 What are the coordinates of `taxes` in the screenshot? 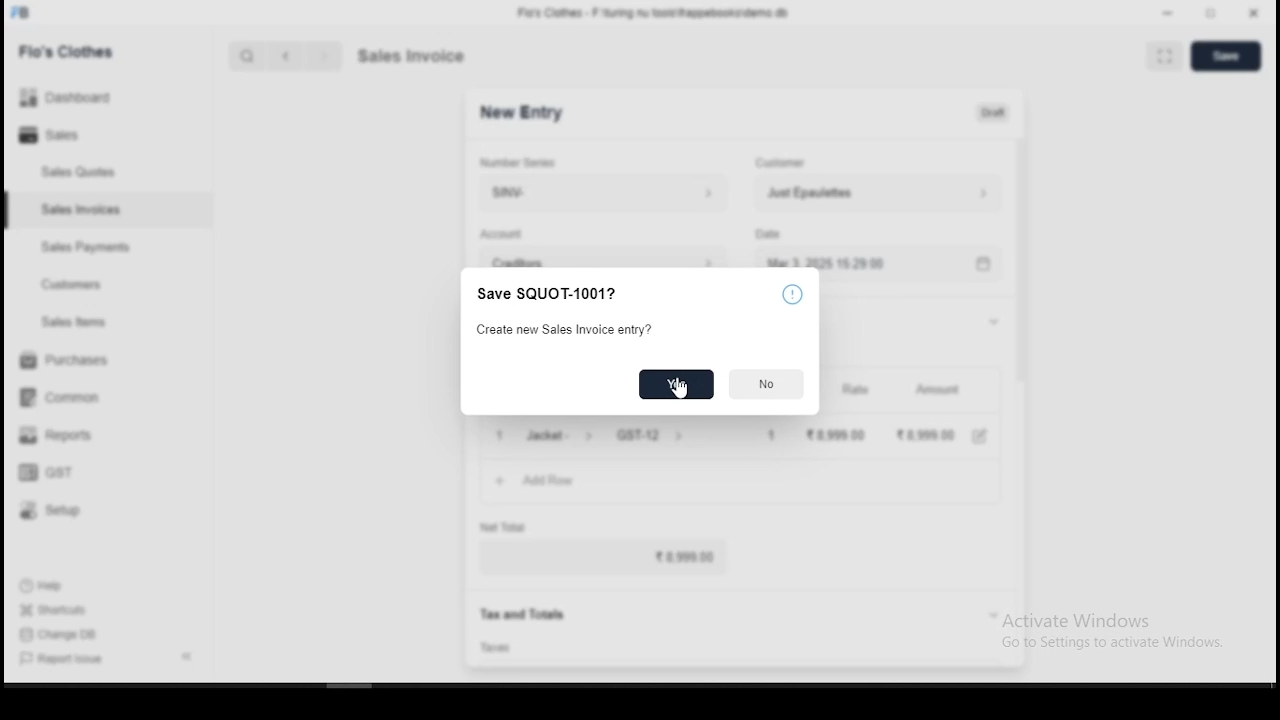 It's located at (502, 645).